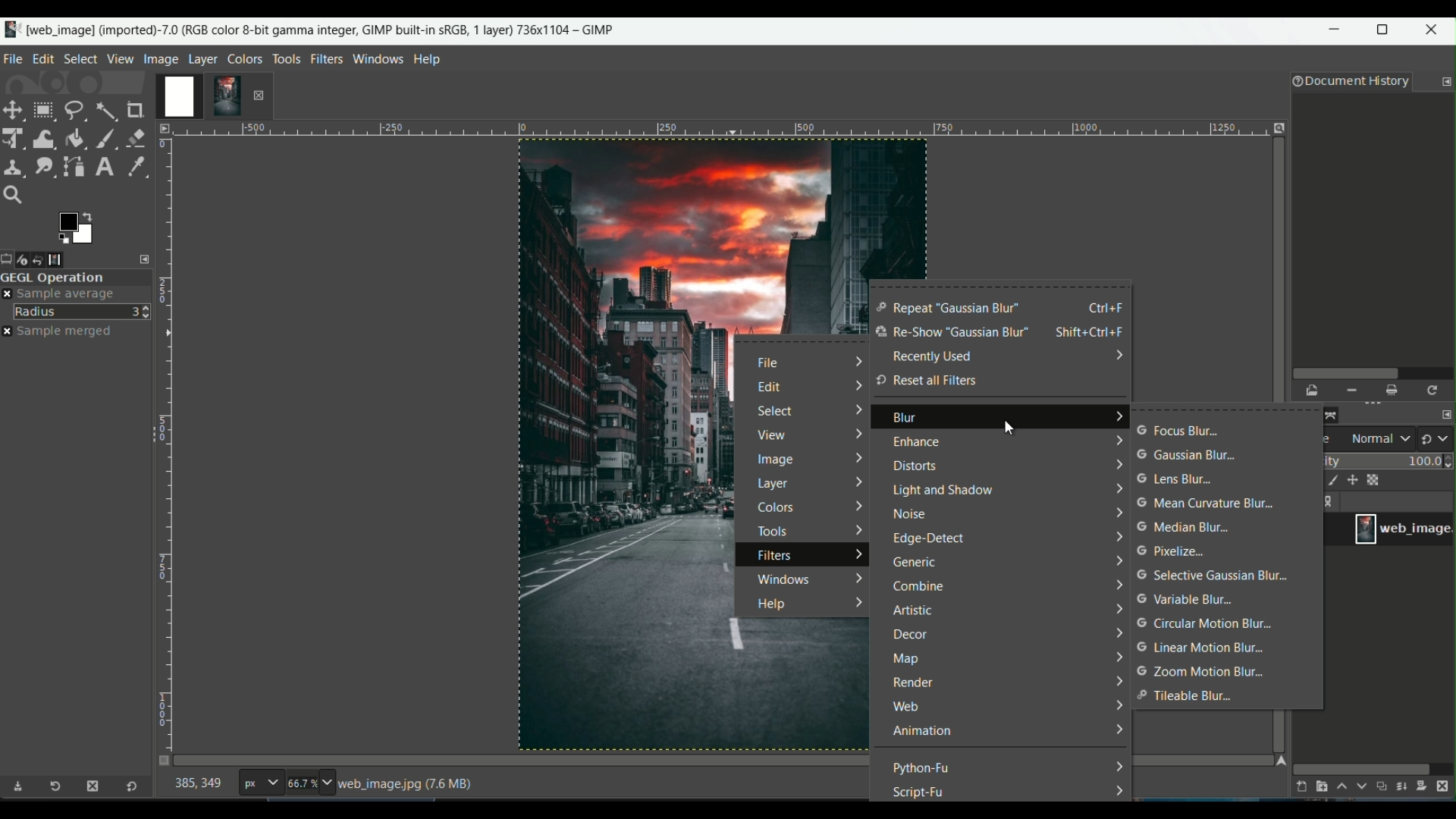 The image size is (1456, 819). Describe the element at coordinates (781, 578) in the screenshot. I see `windows` at that location.